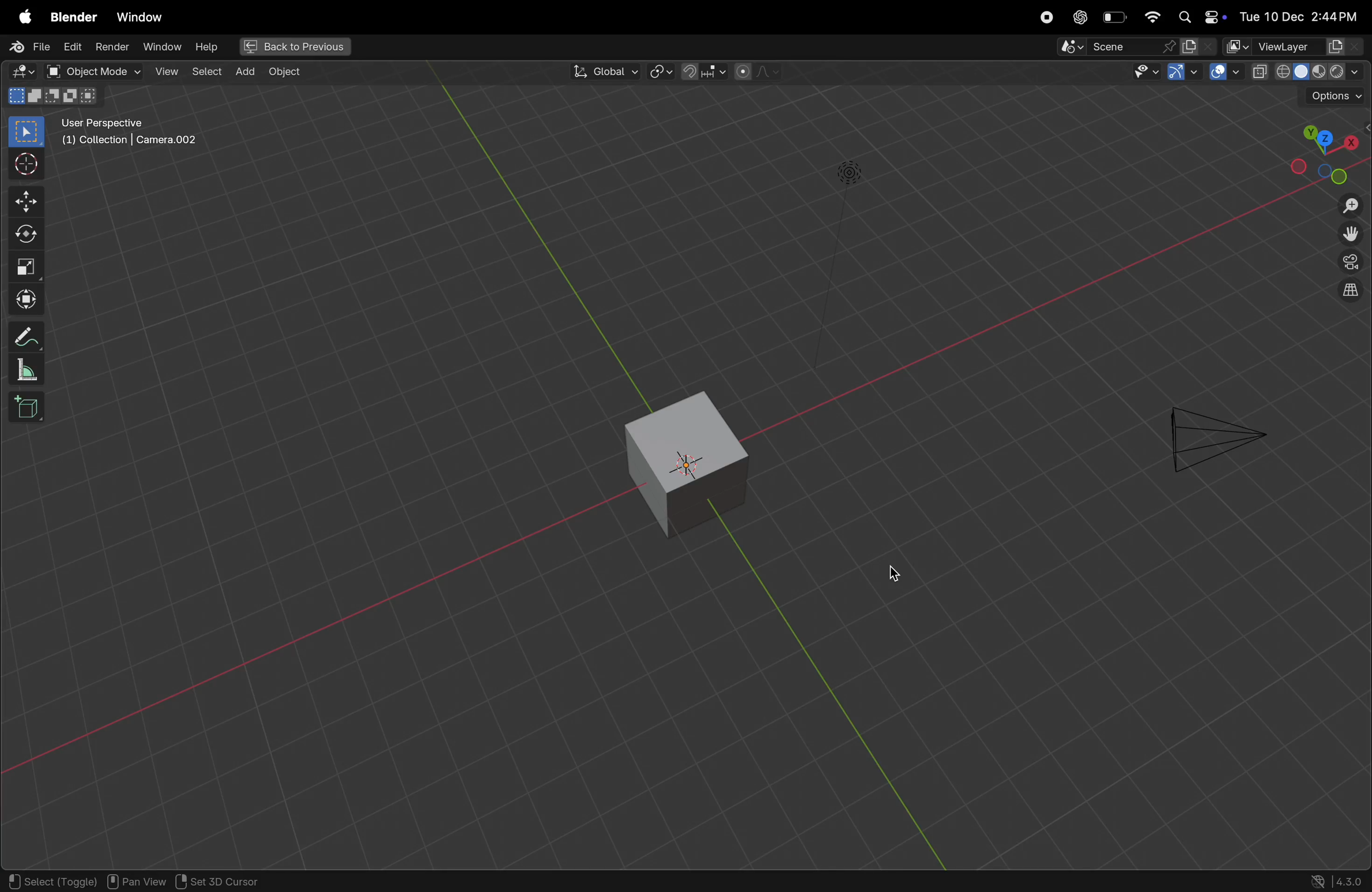 This screenshot has height=892, width=1372. What do you see at coordinates (894, 570) in the screenshot?
I see `cursor` at bounding box center [894, 570].